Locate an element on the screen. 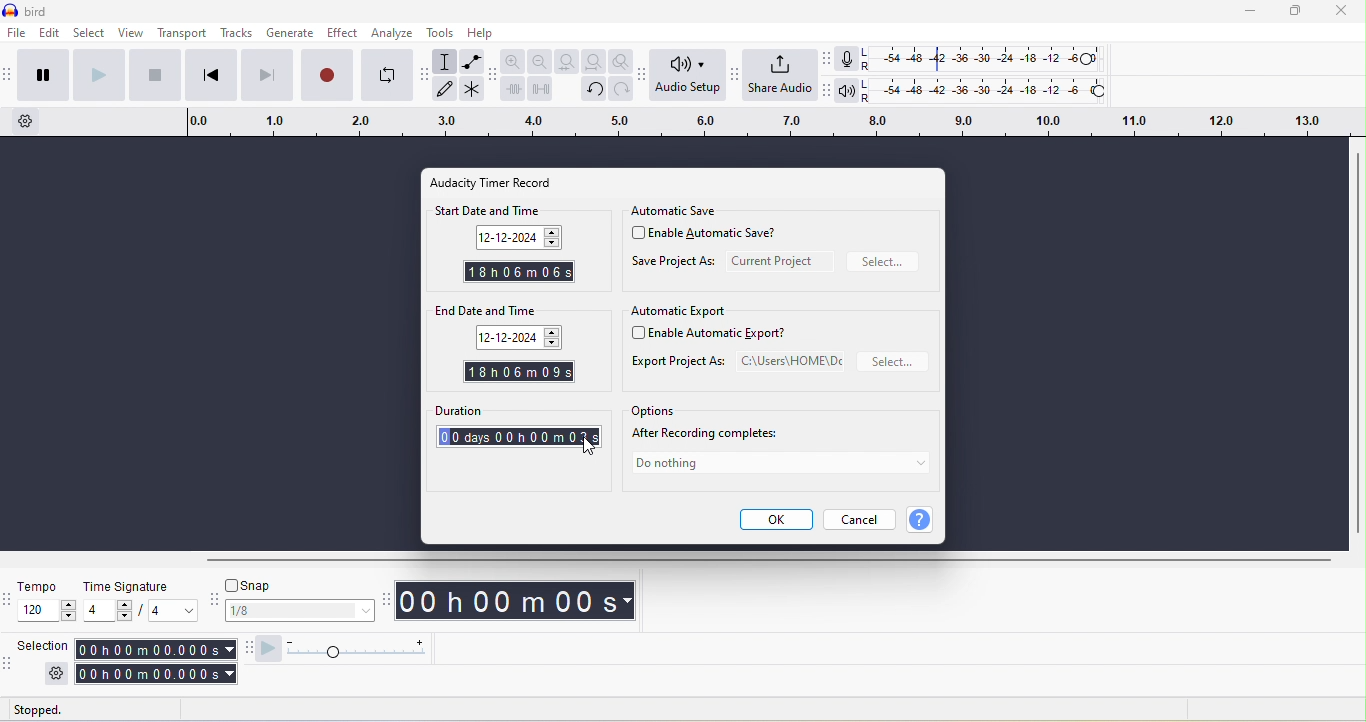 This screenshot has width=1366, height=722. enable looping is located at coordinates (389, 75).